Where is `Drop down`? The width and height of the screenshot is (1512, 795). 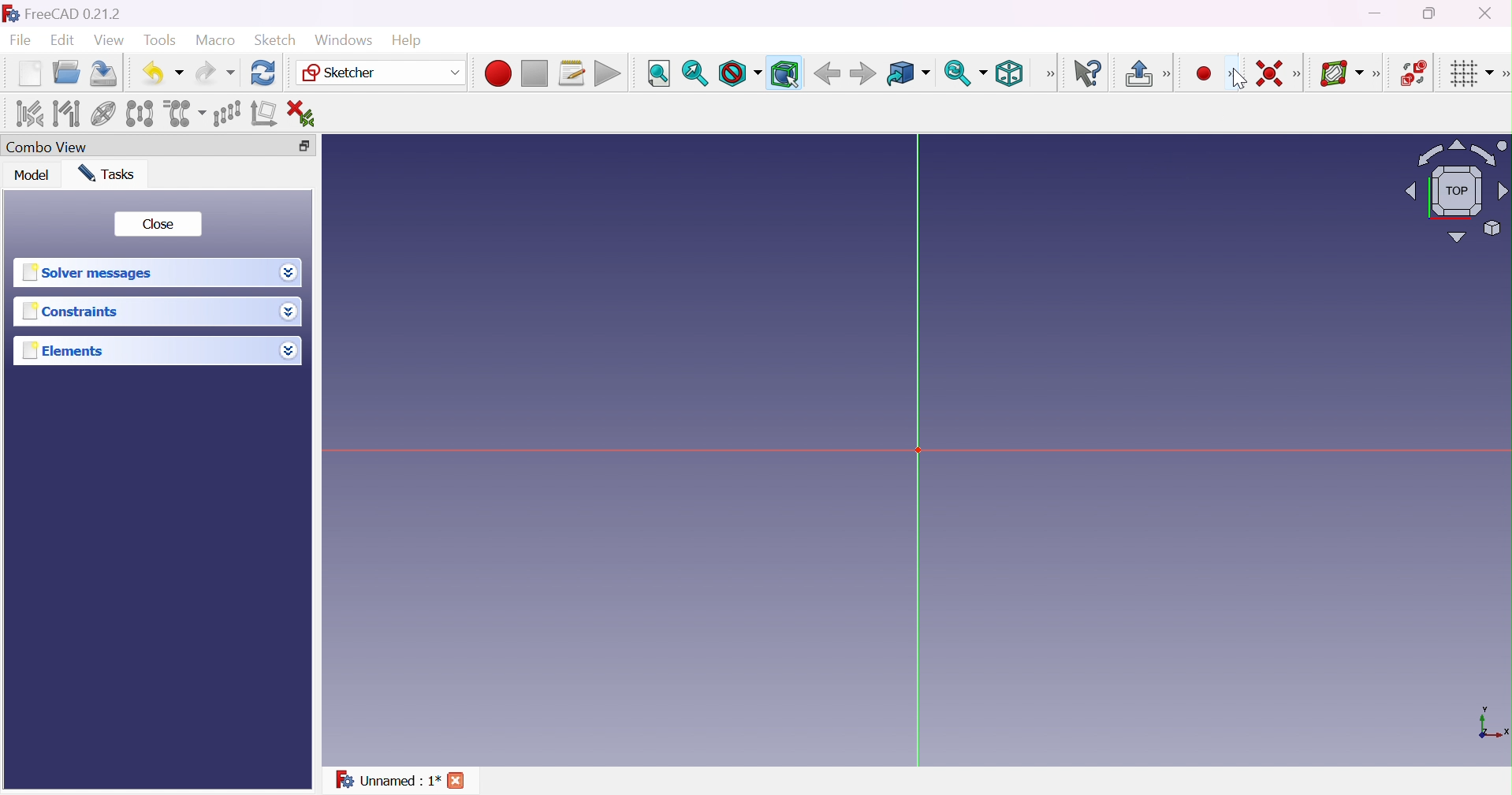
Drop down is located at coordinates (291, 353).